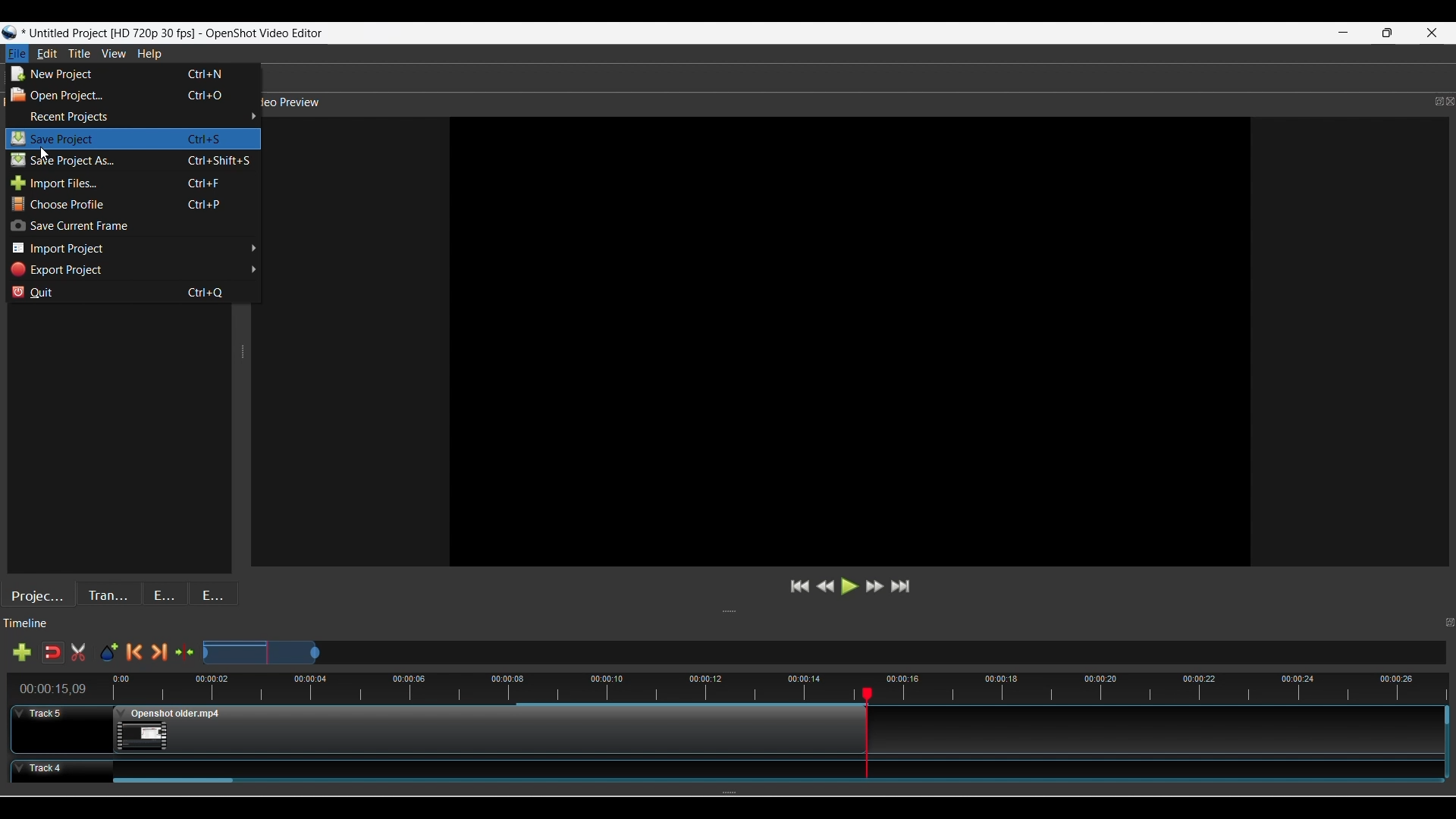  What do you see at coordinates (110, 33) in the screenshot?
I see `Project Name` at bounding box center [110, 33].